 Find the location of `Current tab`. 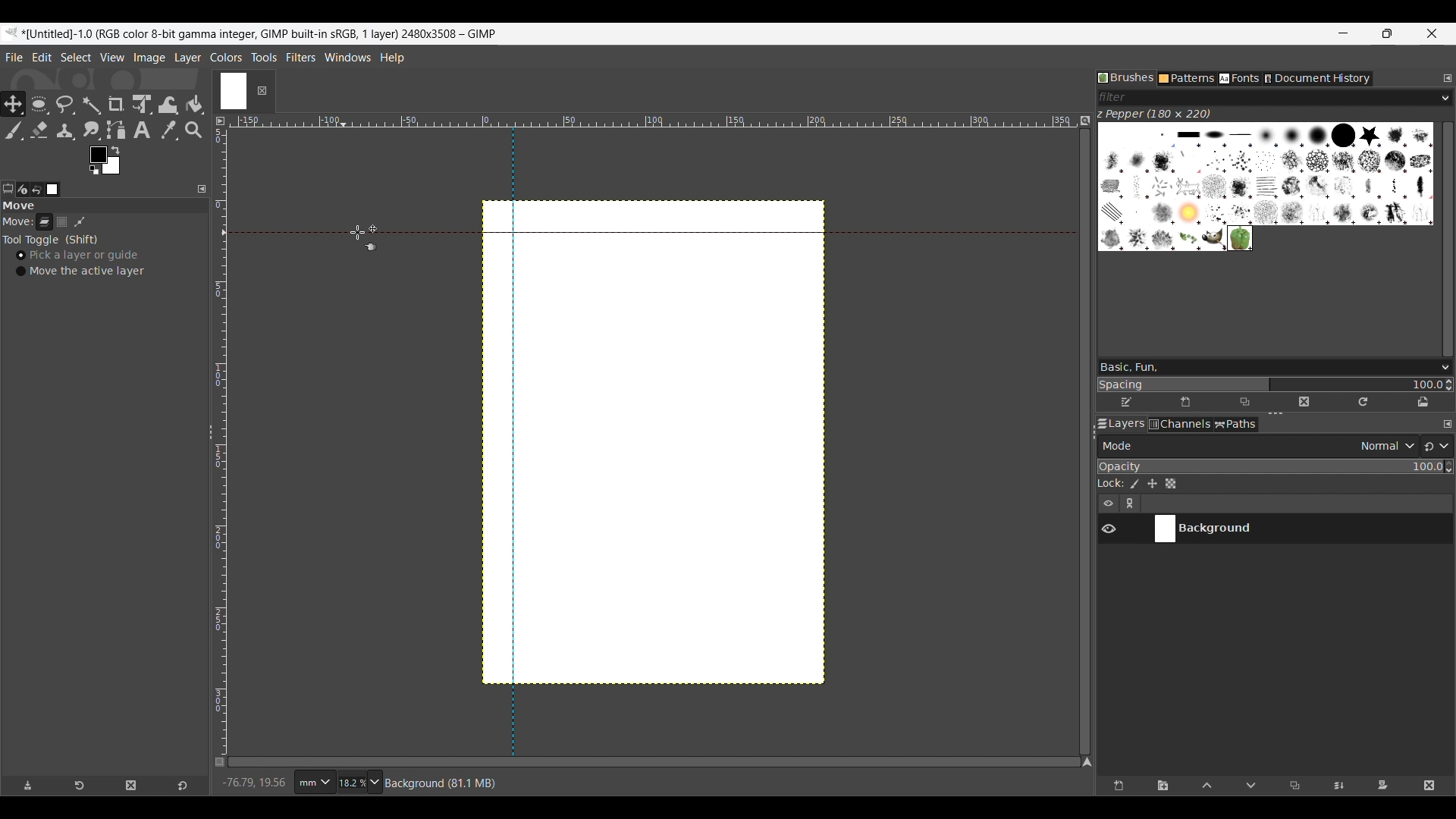

Current tab is located at coordinates (232, 89).